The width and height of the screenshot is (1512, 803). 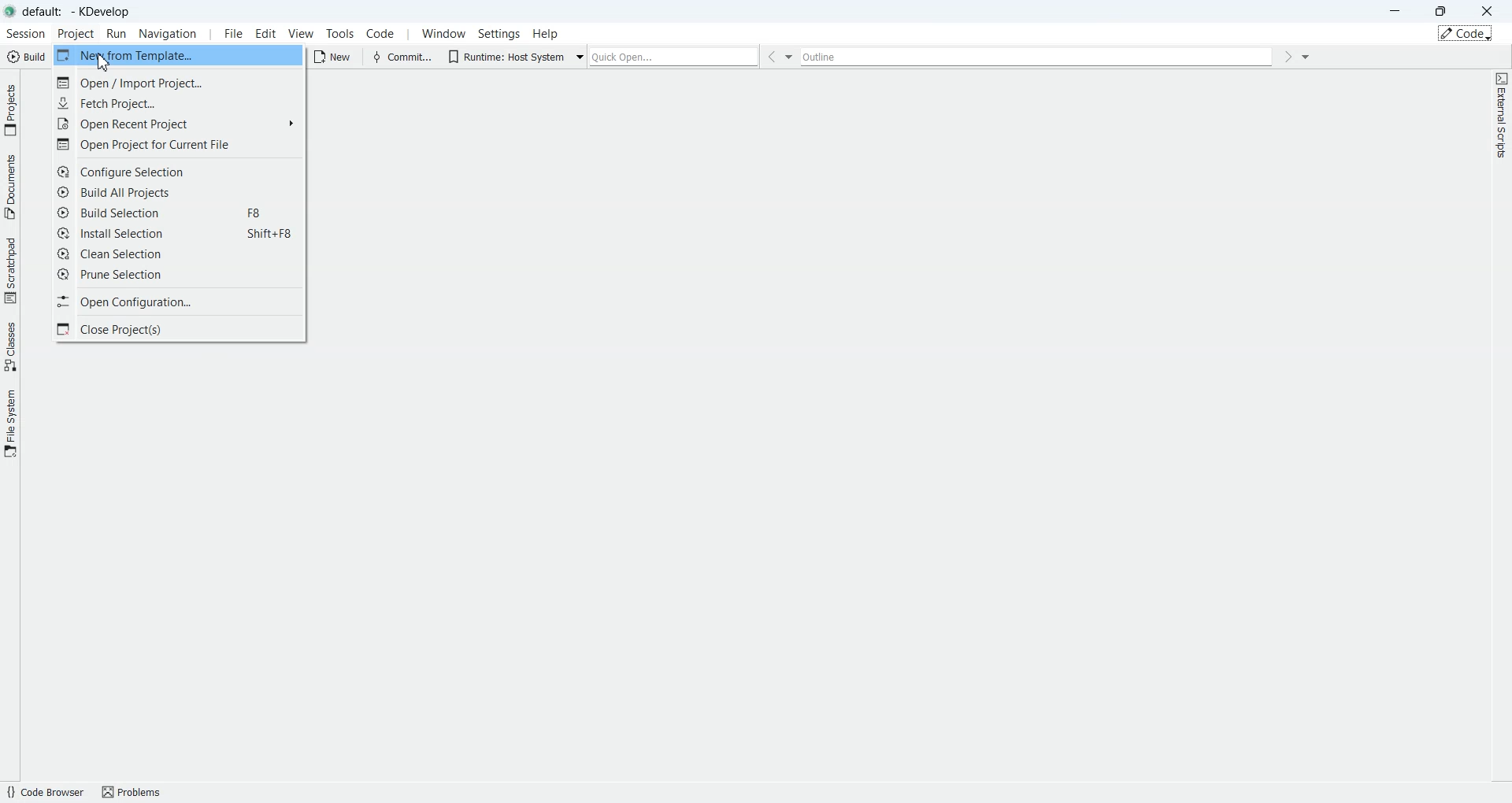 I want to click on New from Template, so click(x=178, y=56).